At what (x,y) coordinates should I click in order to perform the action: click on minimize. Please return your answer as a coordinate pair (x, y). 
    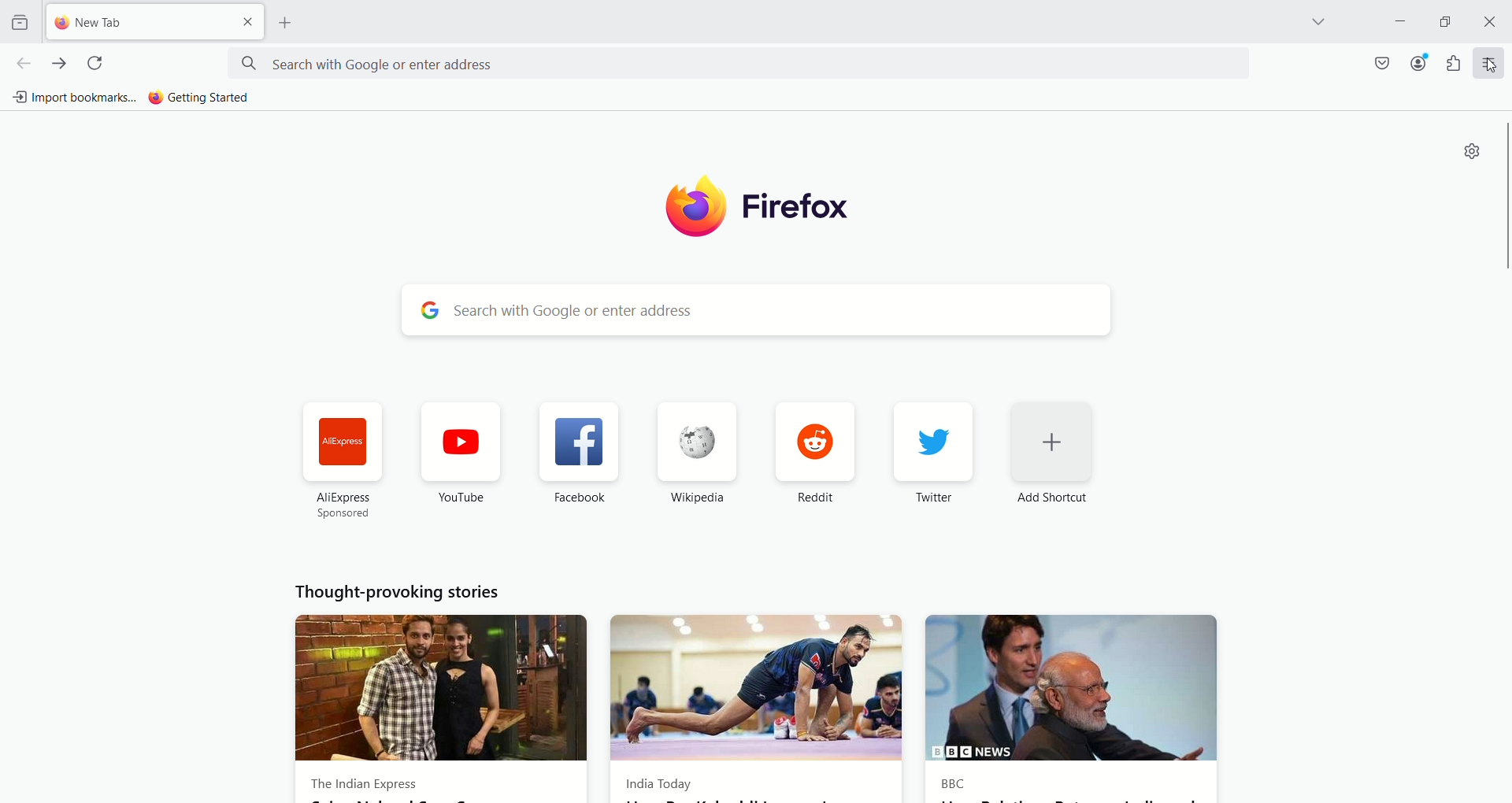
    Looking at the image, I should click on (1398, 20).